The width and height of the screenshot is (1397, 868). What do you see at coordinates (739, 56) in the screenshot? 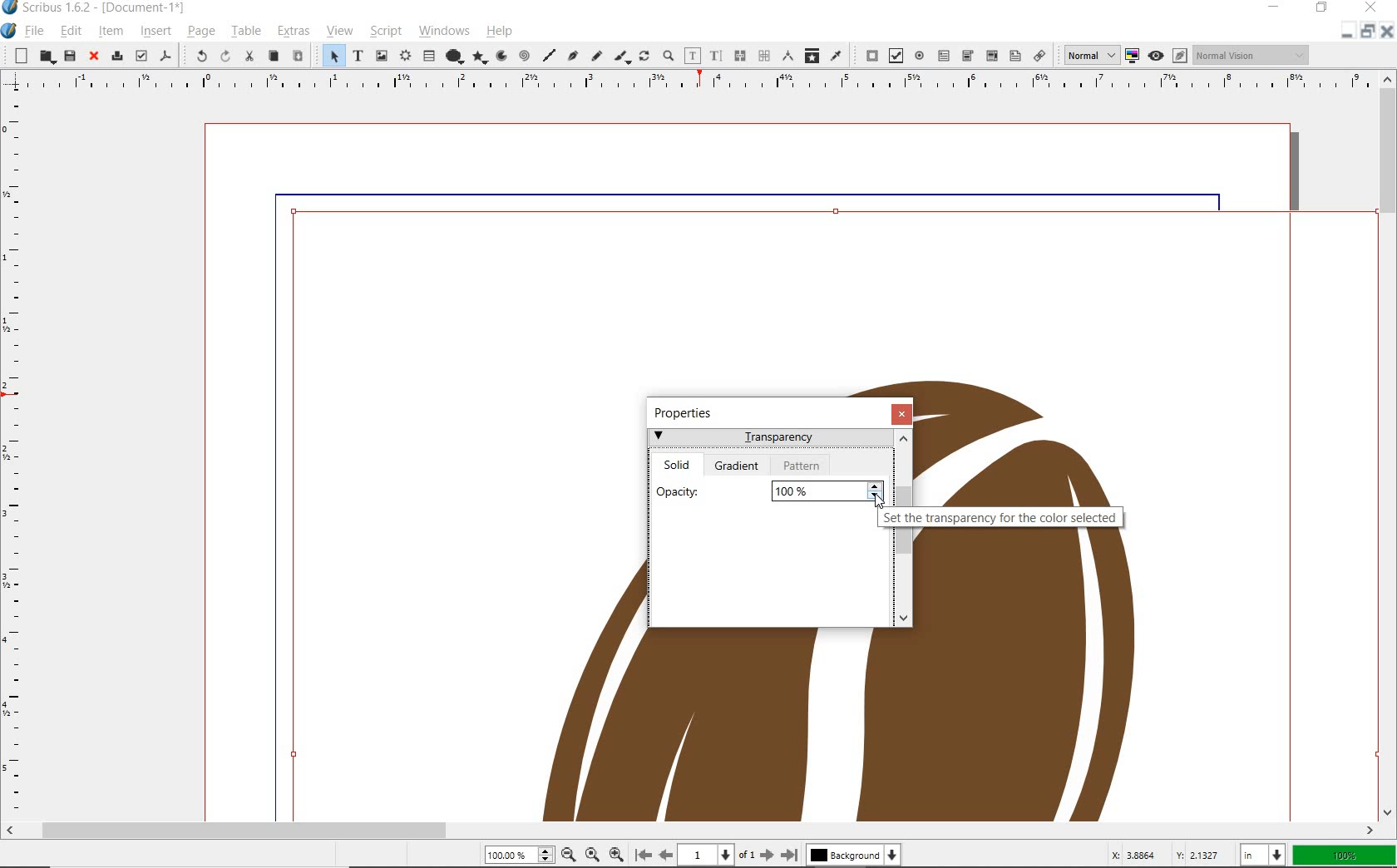
I see `link text frames` at bounding box center [739, 56].